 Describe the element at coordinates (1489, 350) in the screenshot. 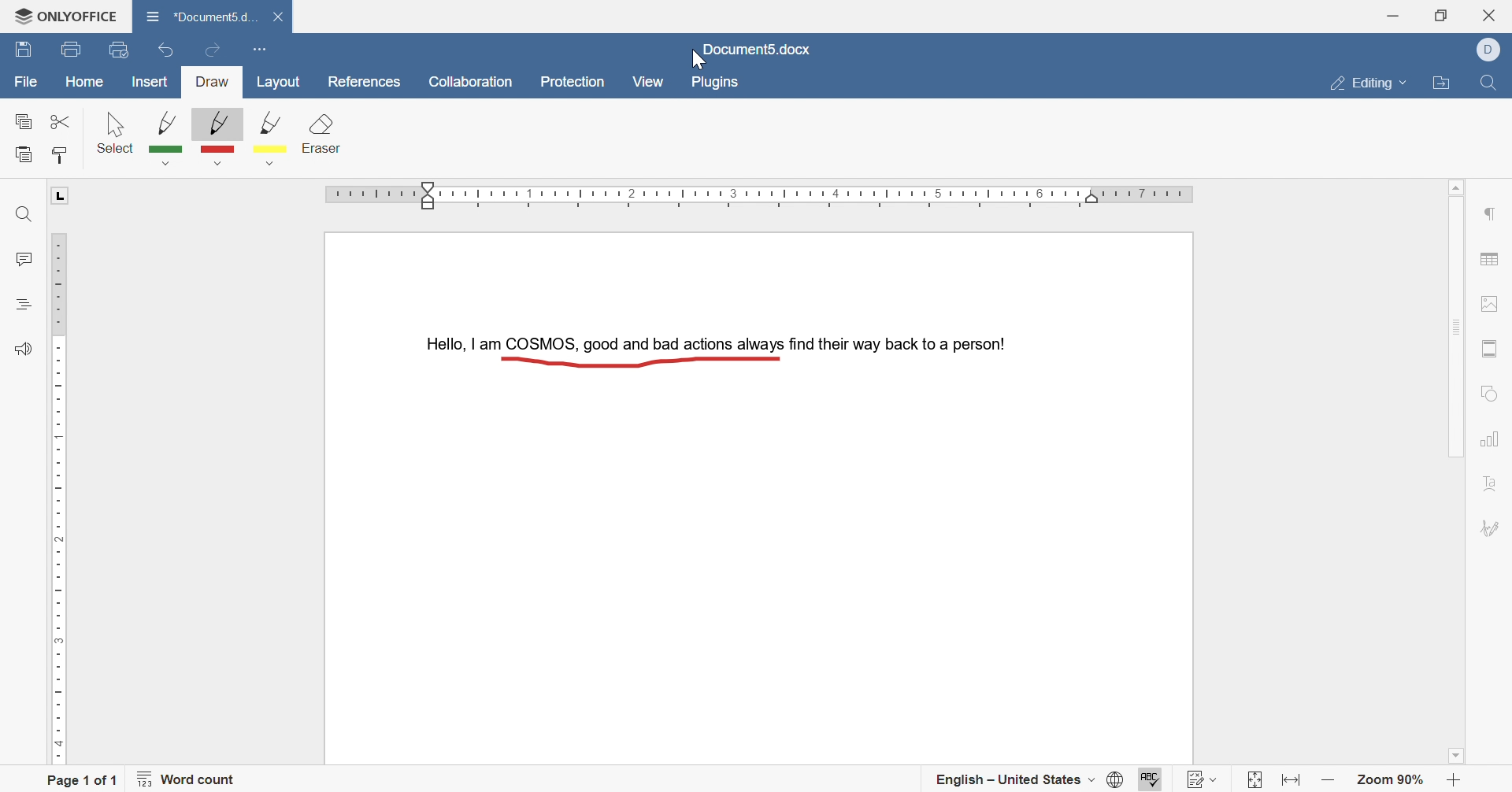

I see `header and footer settings` at that location.